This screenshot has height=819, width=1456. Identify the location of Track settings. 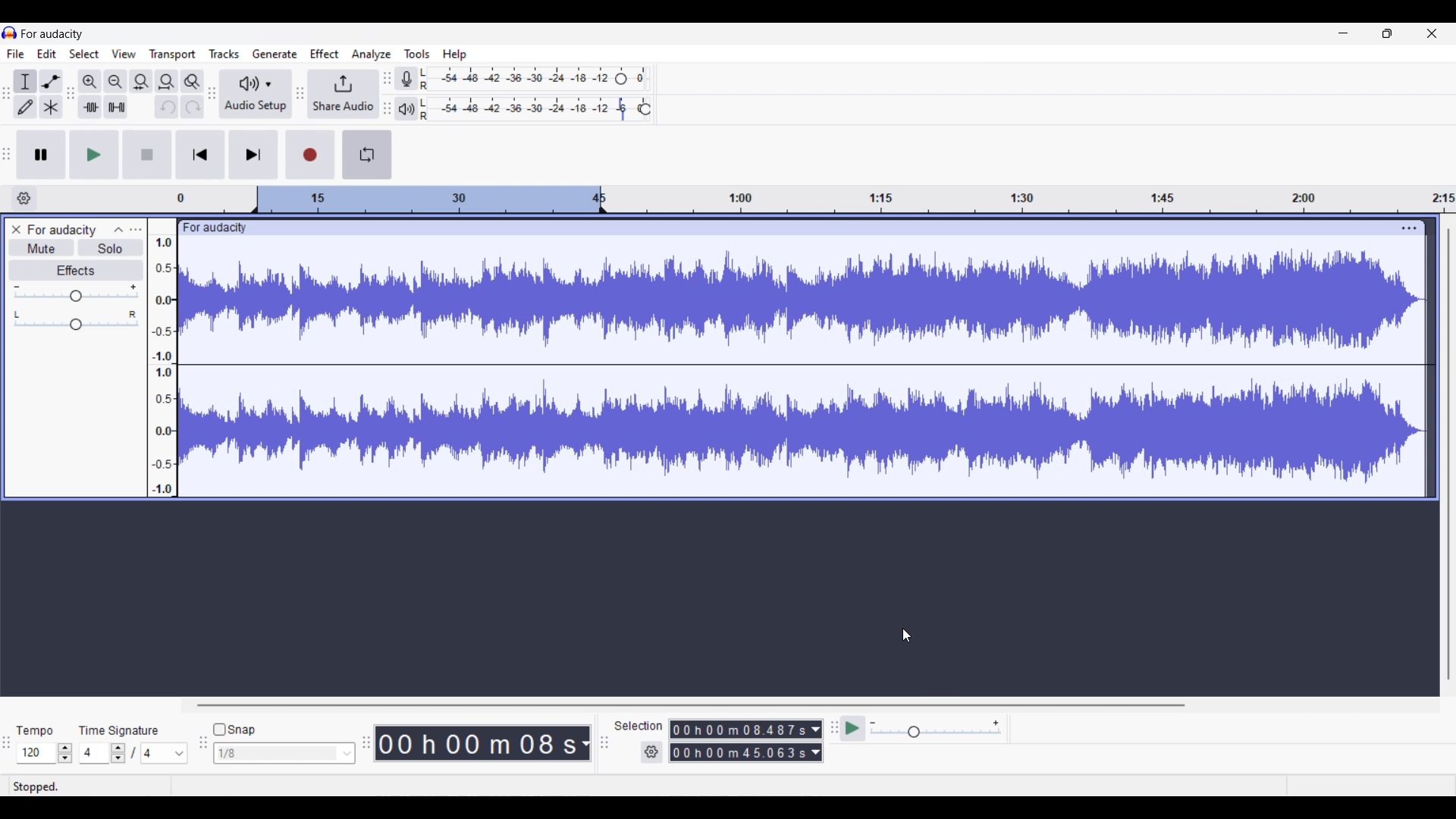
(1409, 227).